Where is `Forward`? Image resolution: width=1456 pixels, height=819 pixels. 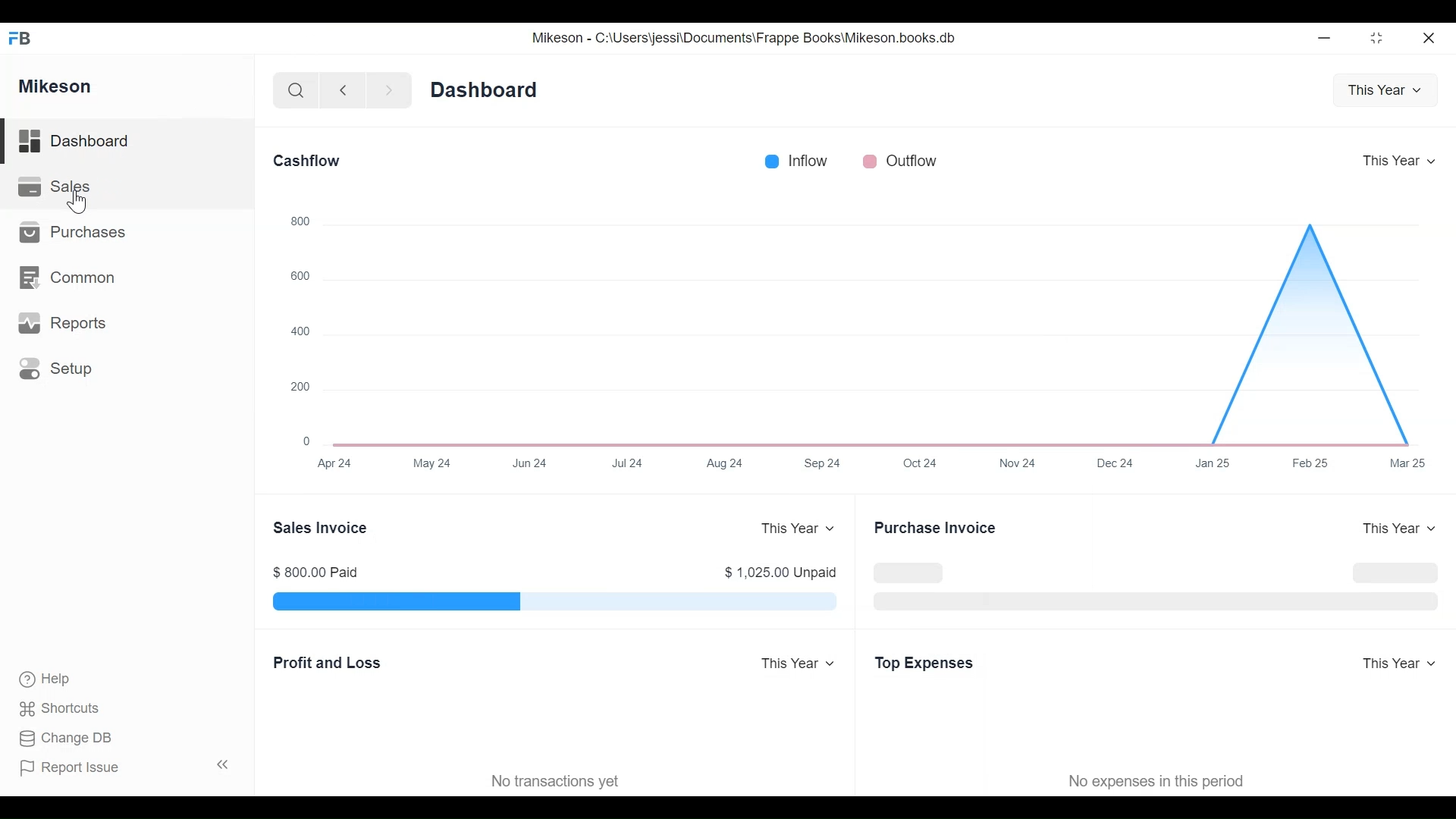 Forward is located at coordinates (394, 89).